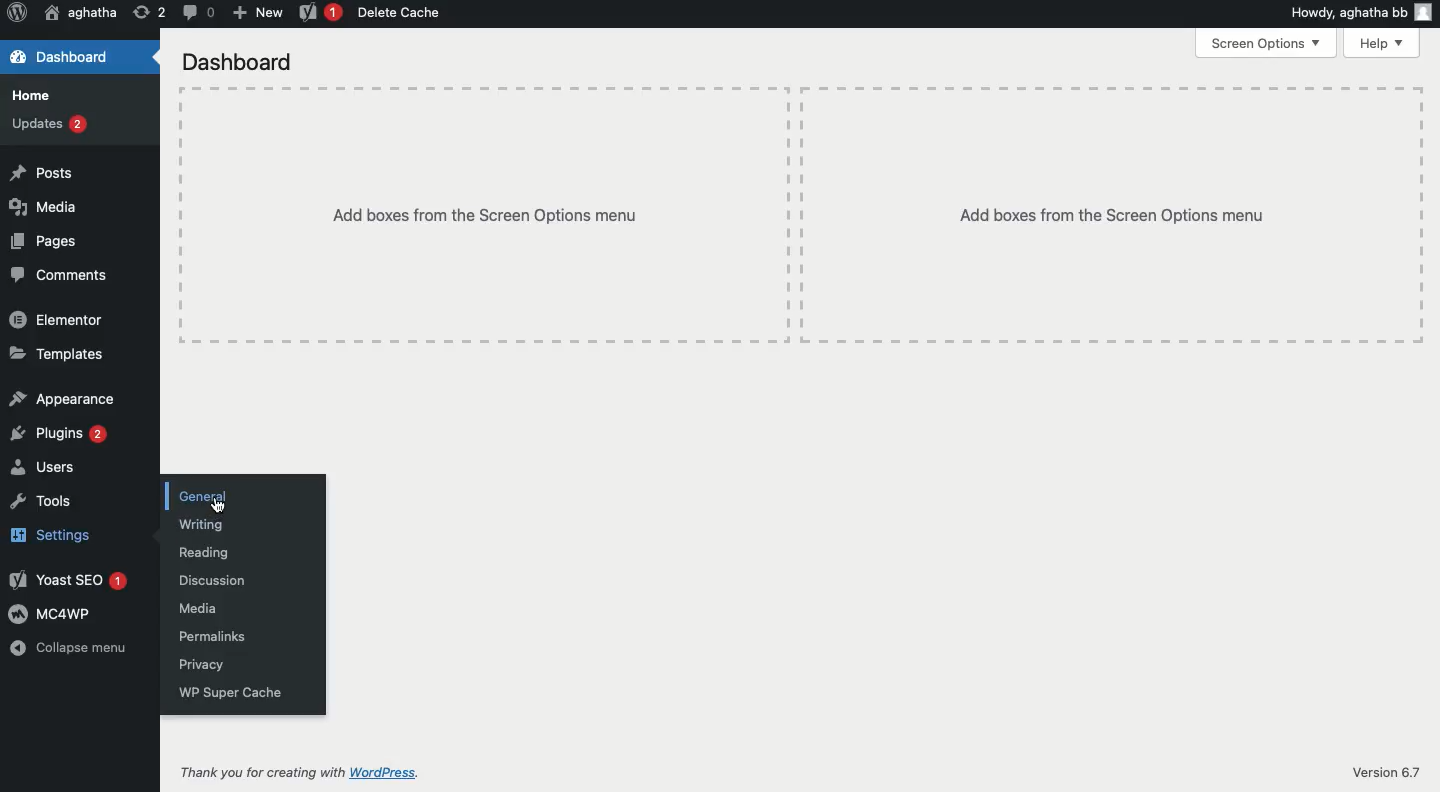 The width and height of the screenshot is (1440, 792). I want to click on Screen options, so click(1266, 45).